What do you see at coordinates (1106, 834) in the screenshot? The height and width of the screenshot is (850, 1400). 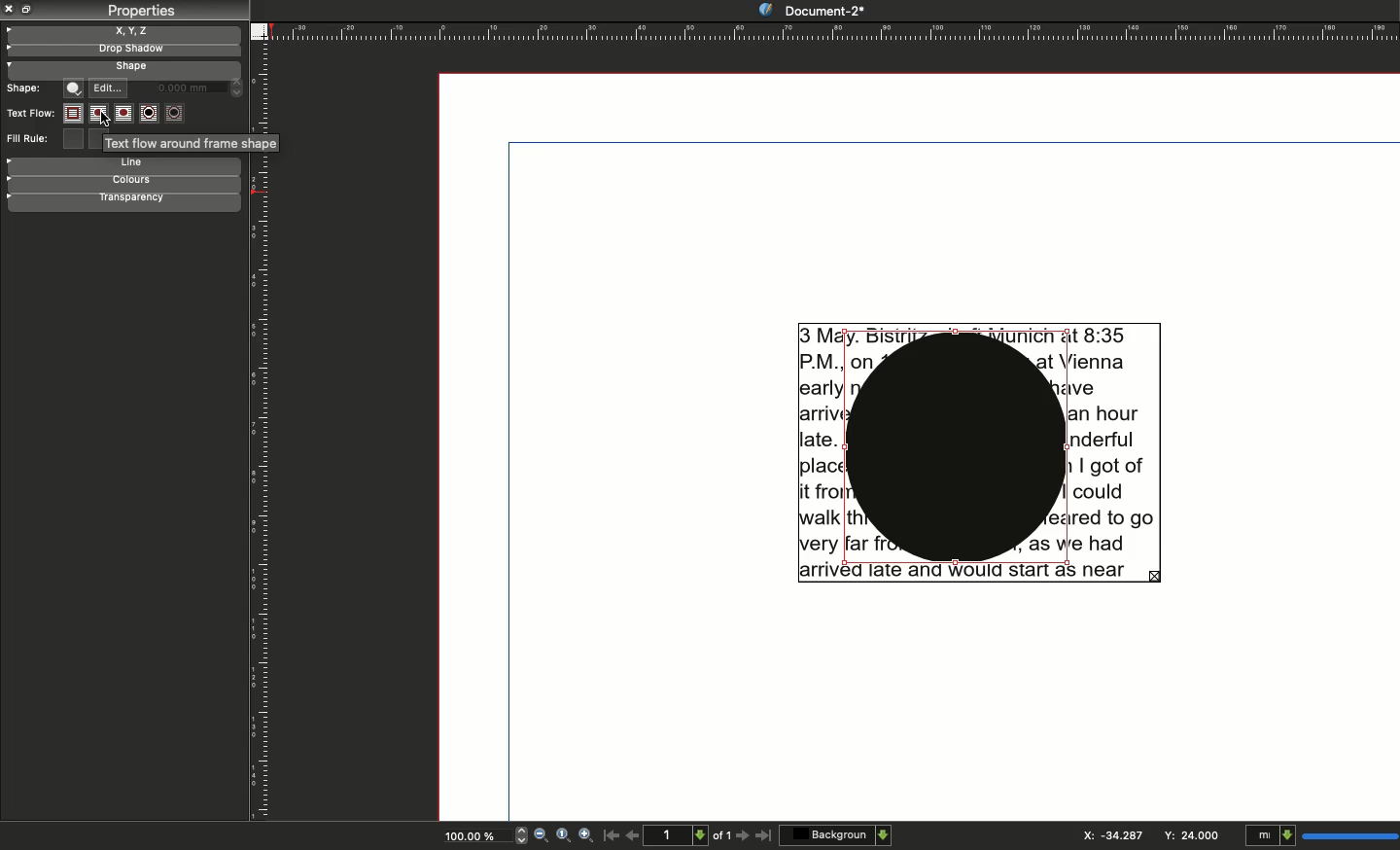 I see `x: 106.626` at bounding box center [1106, 834].